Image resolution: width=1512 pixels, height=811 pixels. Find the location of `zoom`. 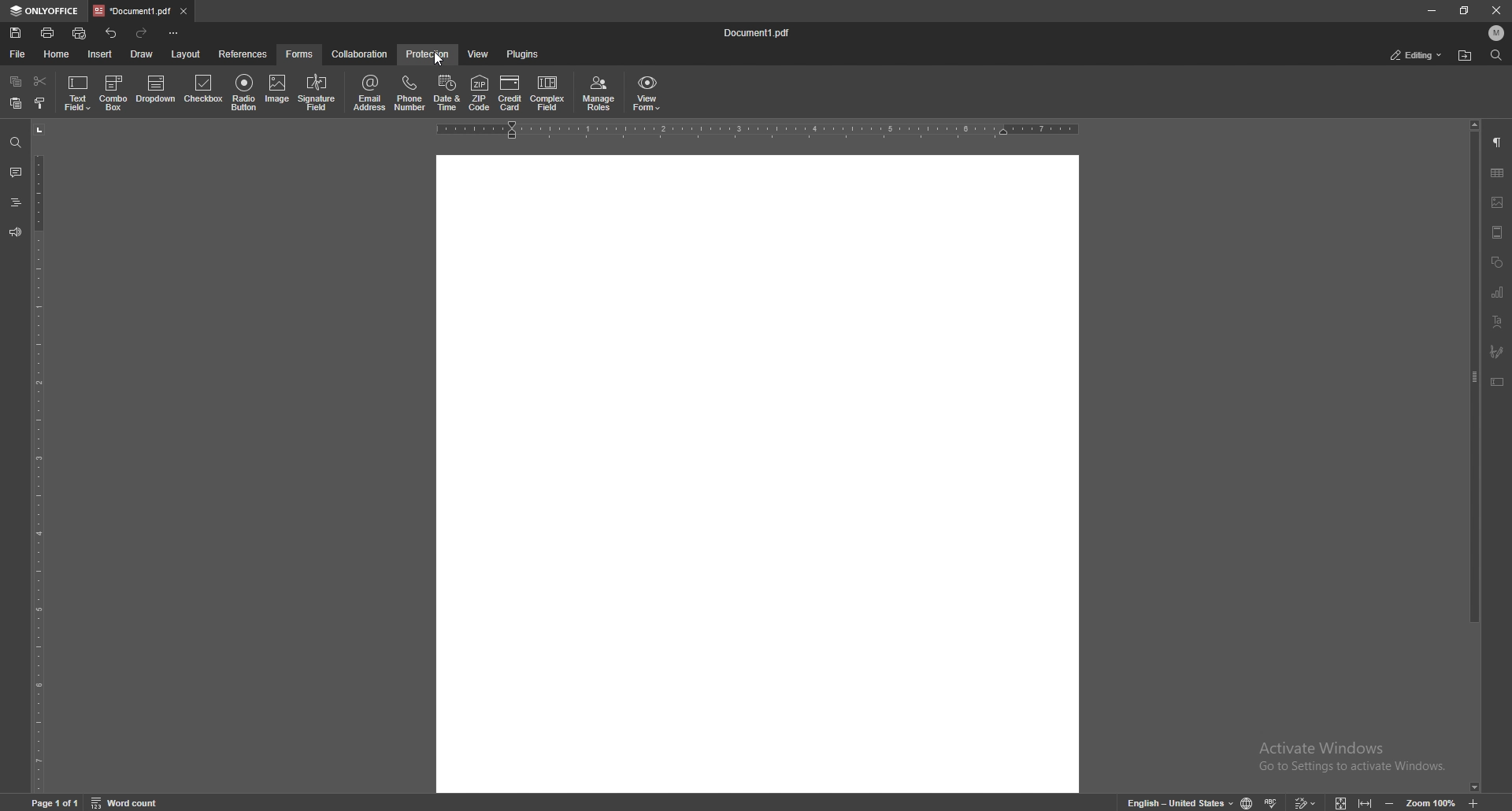

zoom is located at coordinates (1420, 802).